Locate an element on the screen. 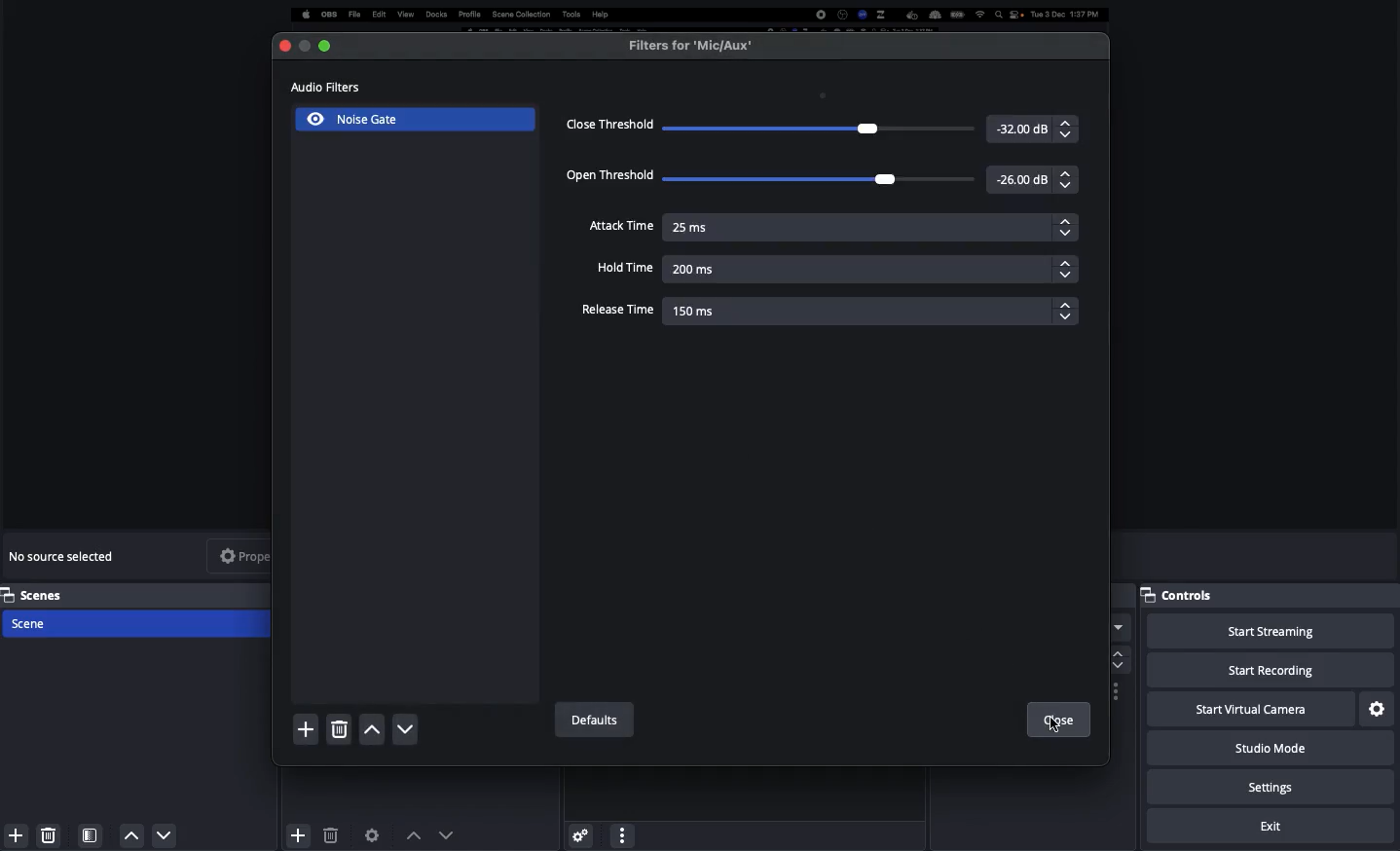 This screenshot has width=1400, height=851. Controls is located at coordinates (1185, 595).